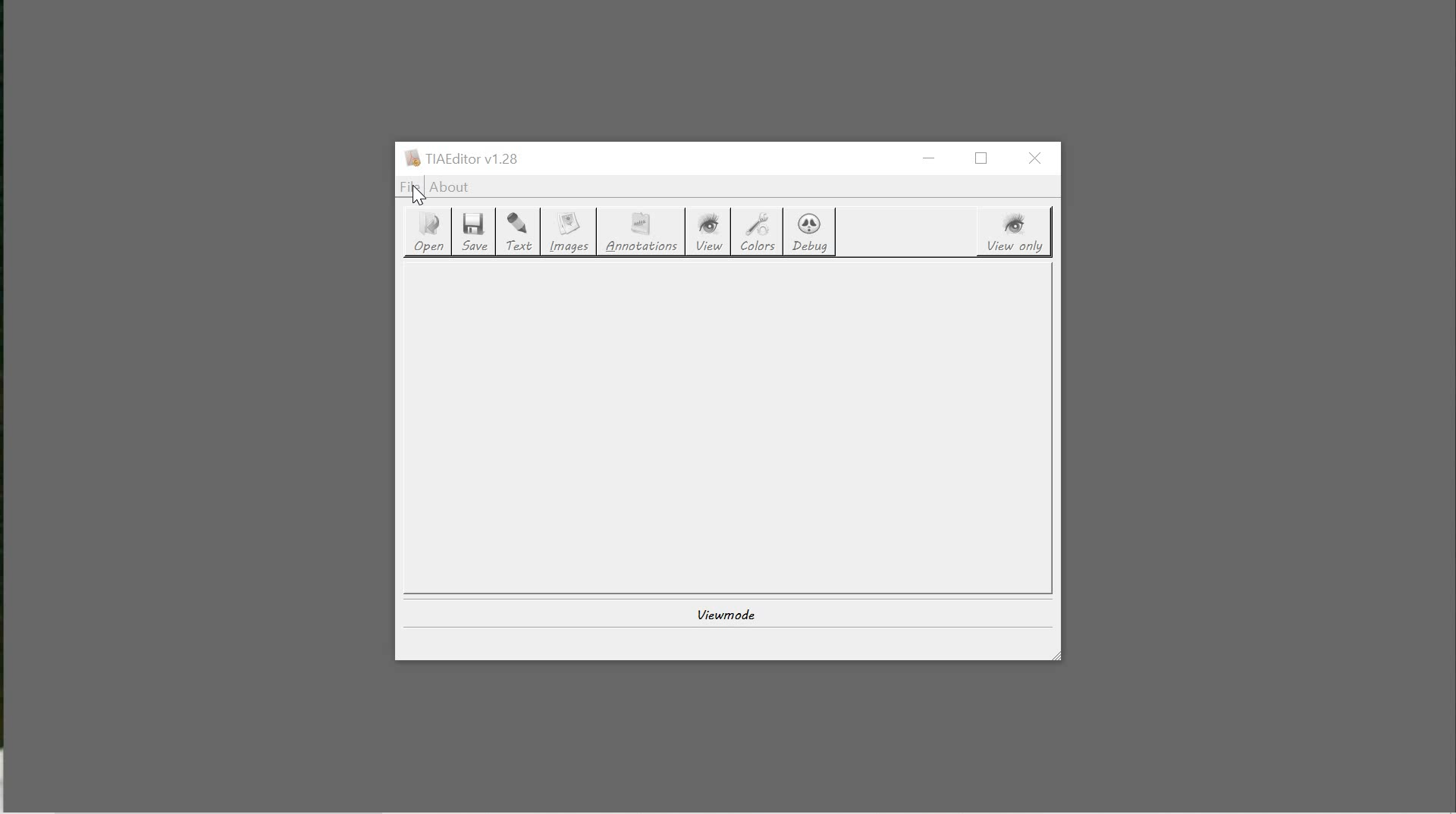 The height and width of the screenshot is (814, 1456). I want to click on , so click(930, 156).